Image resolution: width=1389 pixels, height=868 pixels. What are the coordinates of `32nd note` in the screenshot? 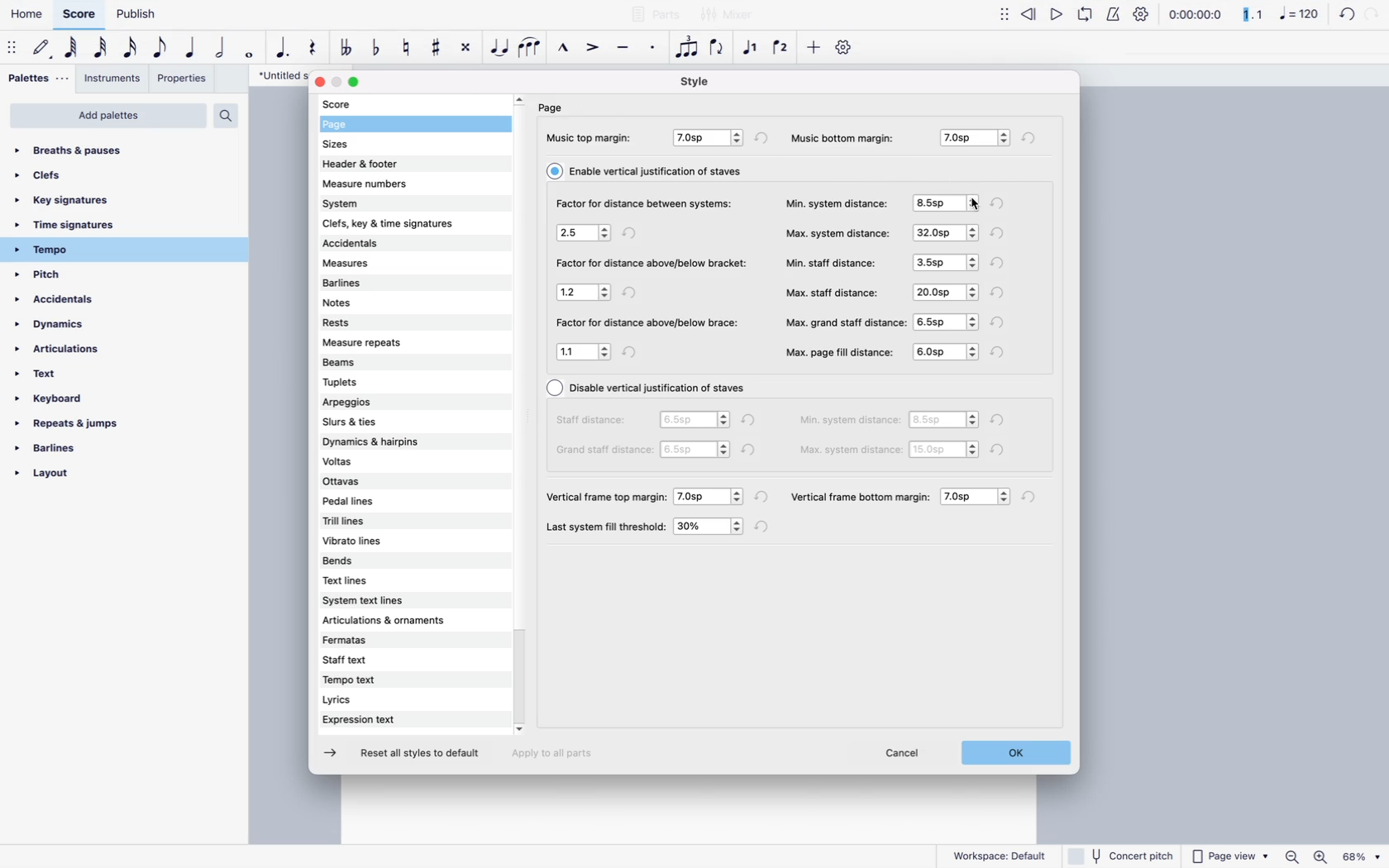 It's located at (102, 48).